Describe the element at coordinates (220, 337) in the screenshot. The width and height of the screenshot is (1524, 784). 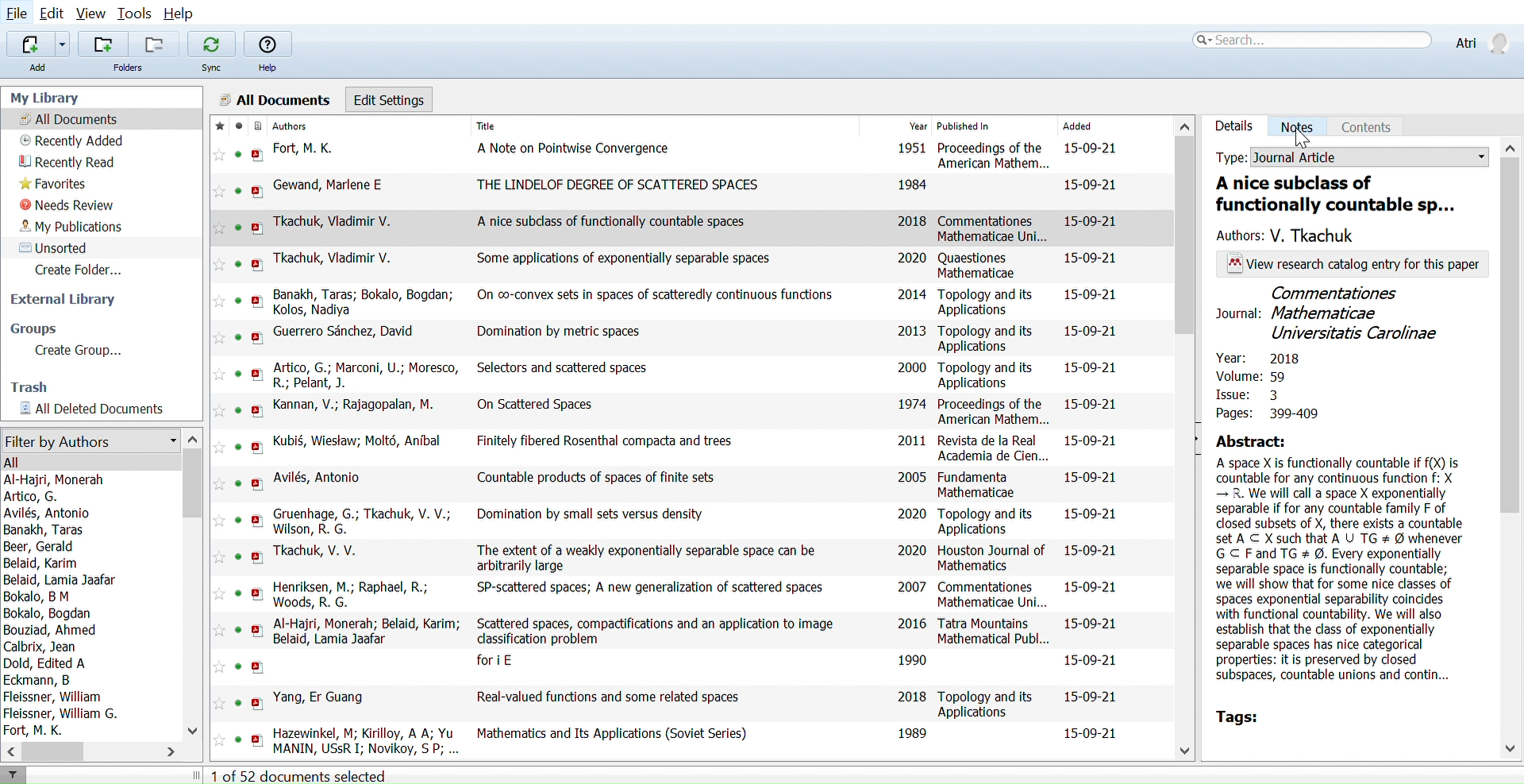
I see `Add this reference to favorites` at that location.